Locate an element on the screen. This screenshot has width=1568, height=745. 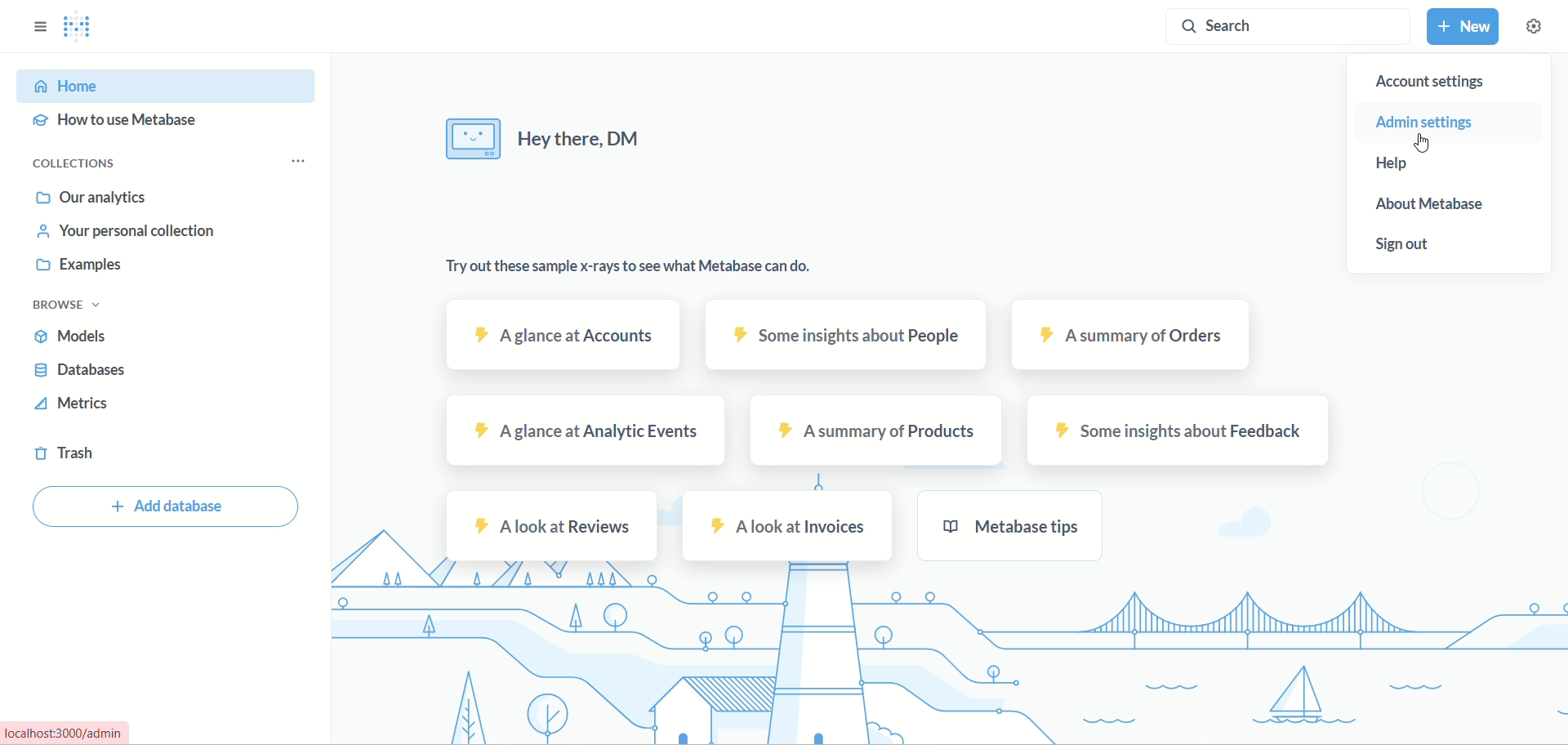
metrics is located at coordinates (78, 403).